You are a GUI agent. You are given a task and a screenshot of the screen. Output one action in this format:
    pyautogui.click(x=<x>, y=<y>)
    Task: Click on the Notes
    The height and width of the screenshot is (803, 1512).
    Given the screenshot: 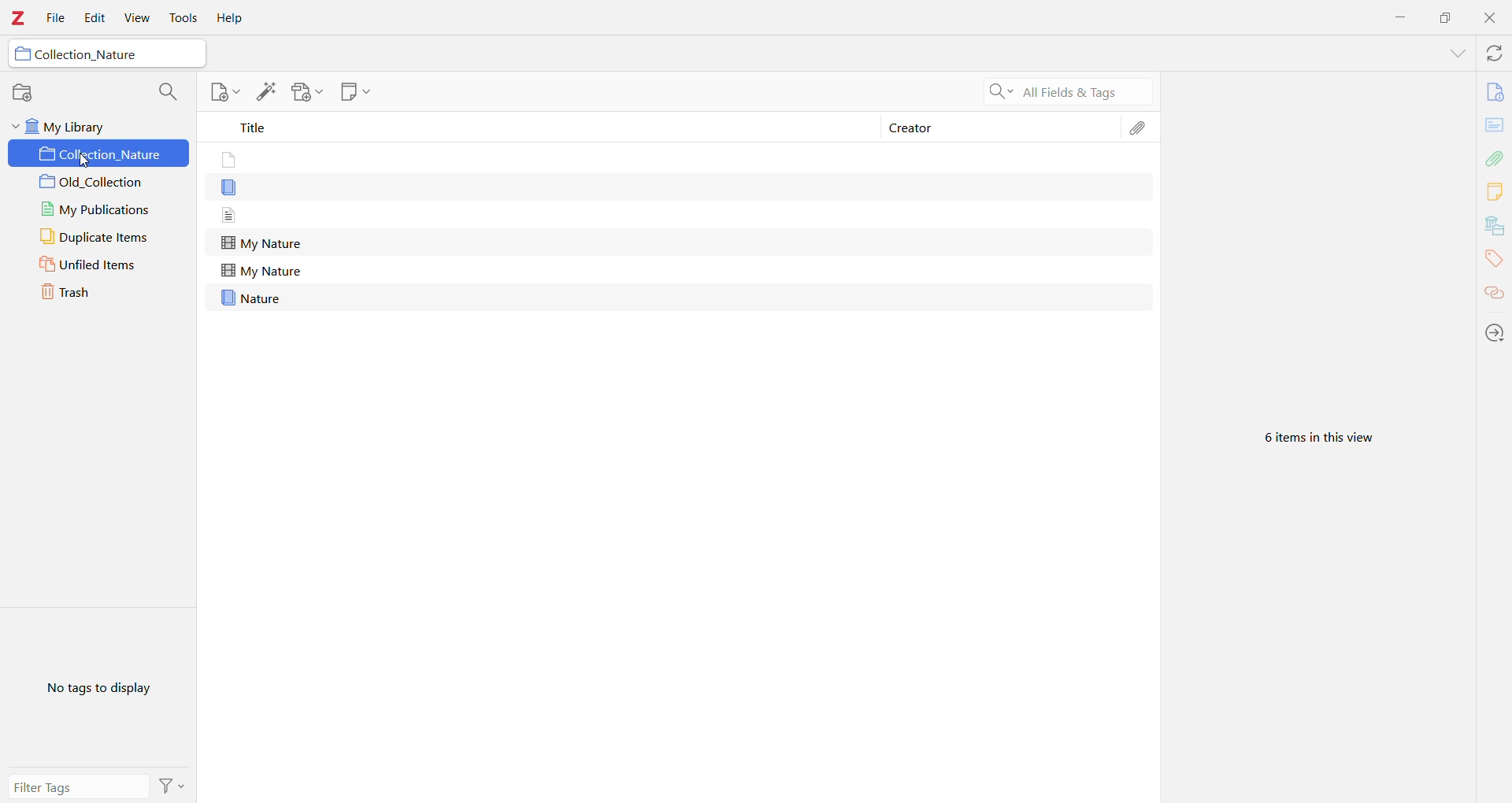 What is the action you would take?
    pyautogui.click(x=1494, y=193)
    